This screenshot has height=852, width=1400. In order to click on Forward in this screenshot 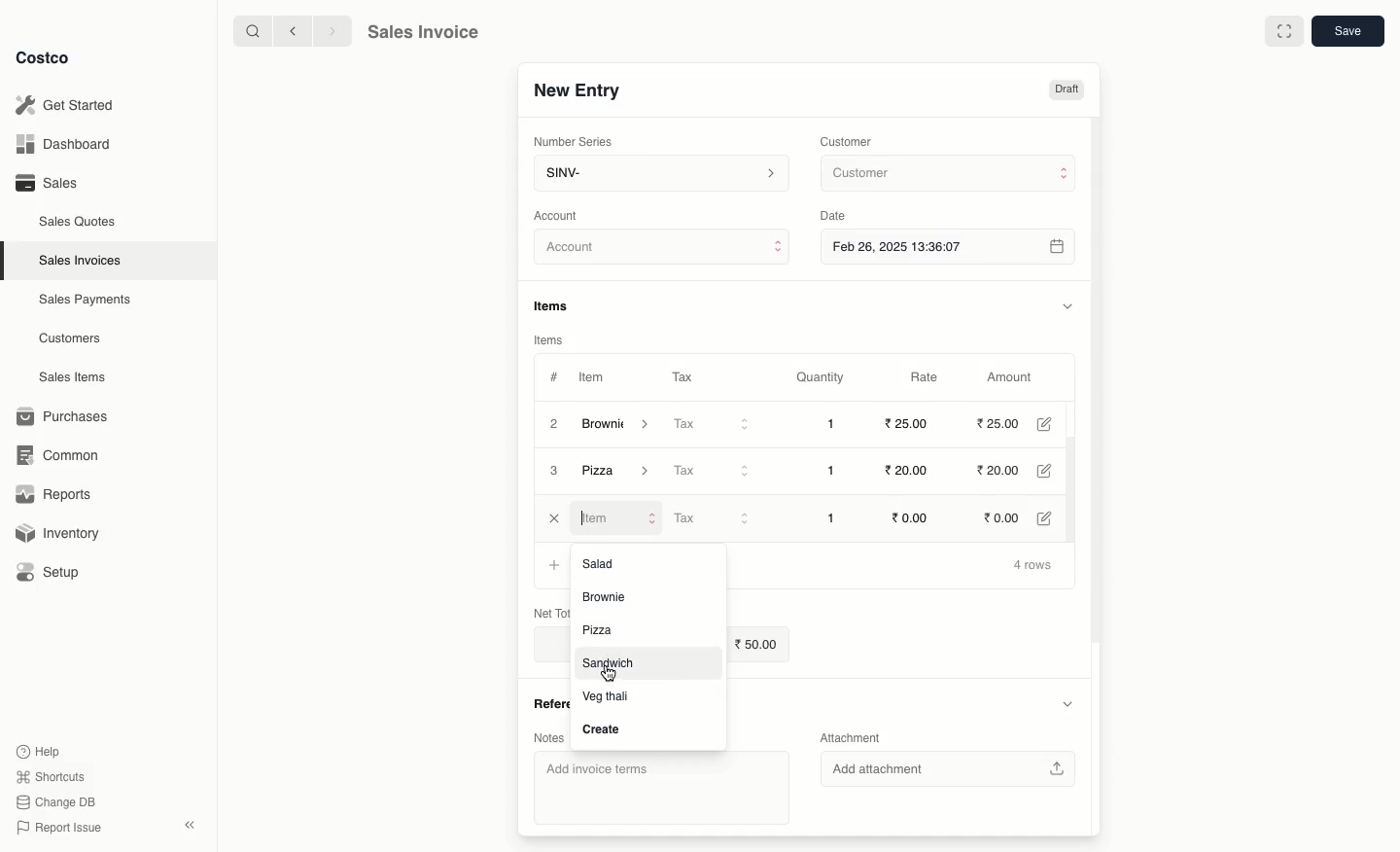, I will do `click(332, 32)`.